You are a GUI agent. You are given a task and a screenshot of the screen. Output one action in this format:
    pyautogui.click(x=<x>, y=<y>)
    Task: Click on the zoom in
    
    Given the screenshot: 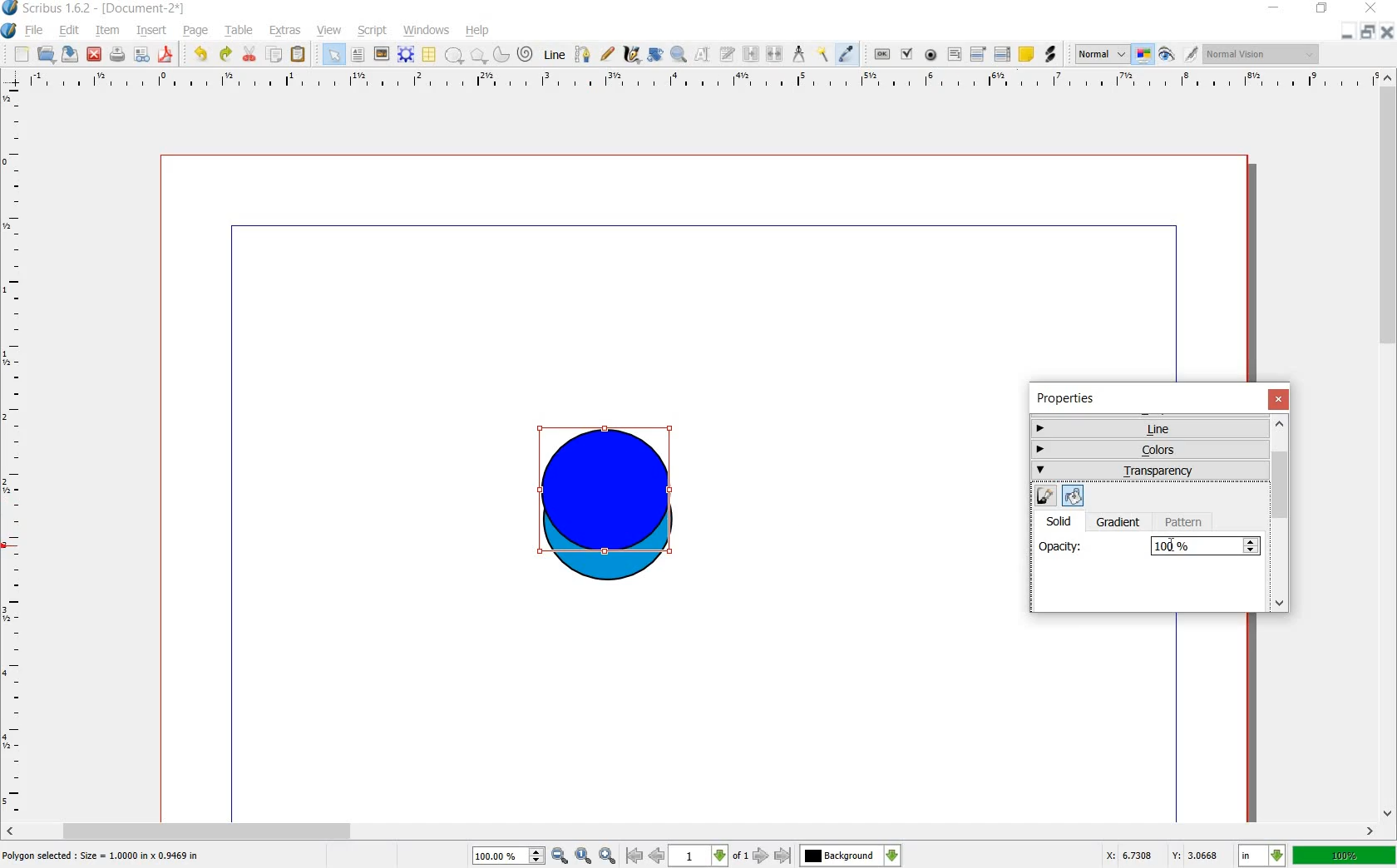 What is the action you would take?
    pyautogui.click(x=607, y=856)
    